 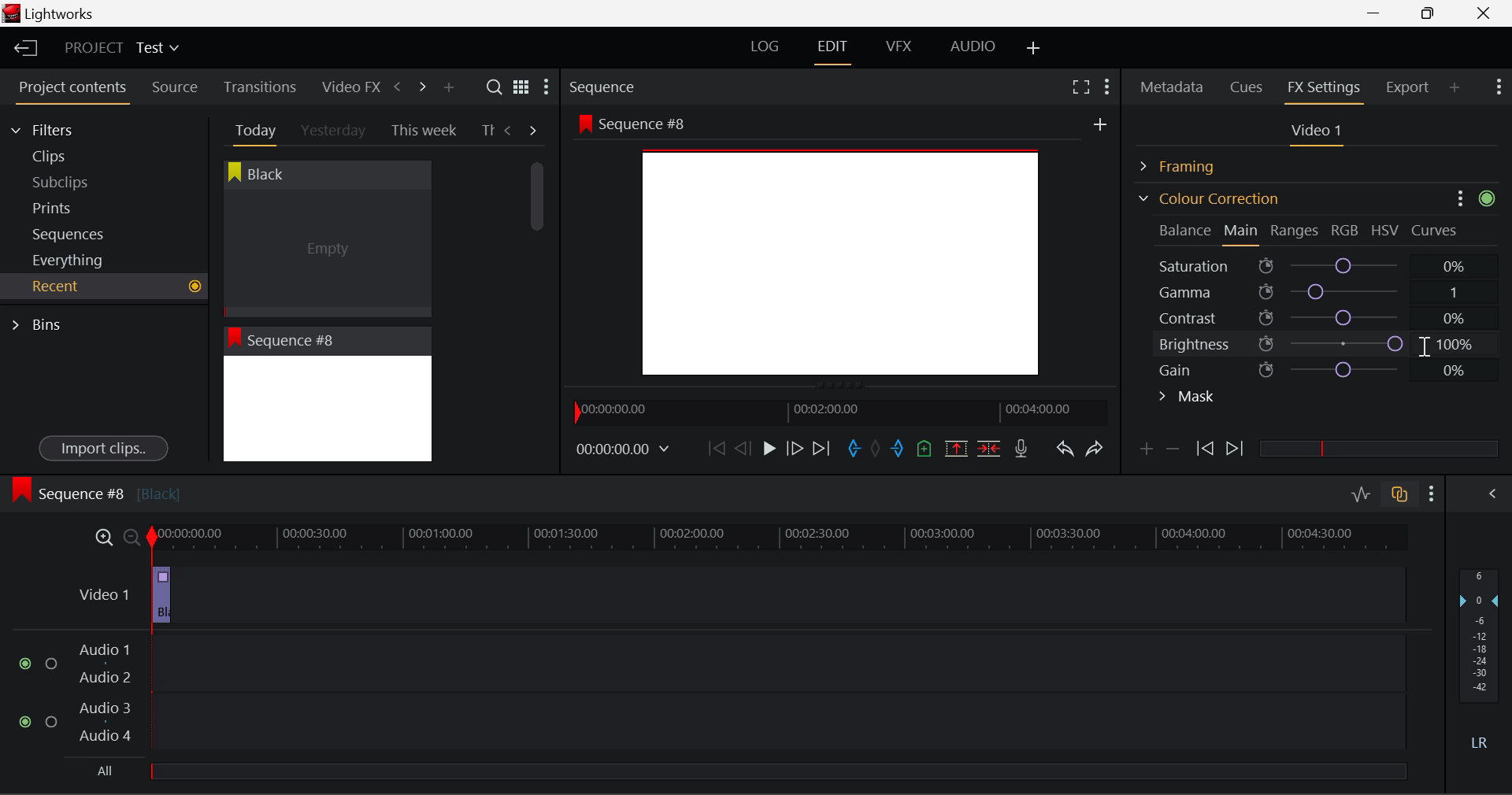 I want to click on Everything, so click(x=70, y=260).